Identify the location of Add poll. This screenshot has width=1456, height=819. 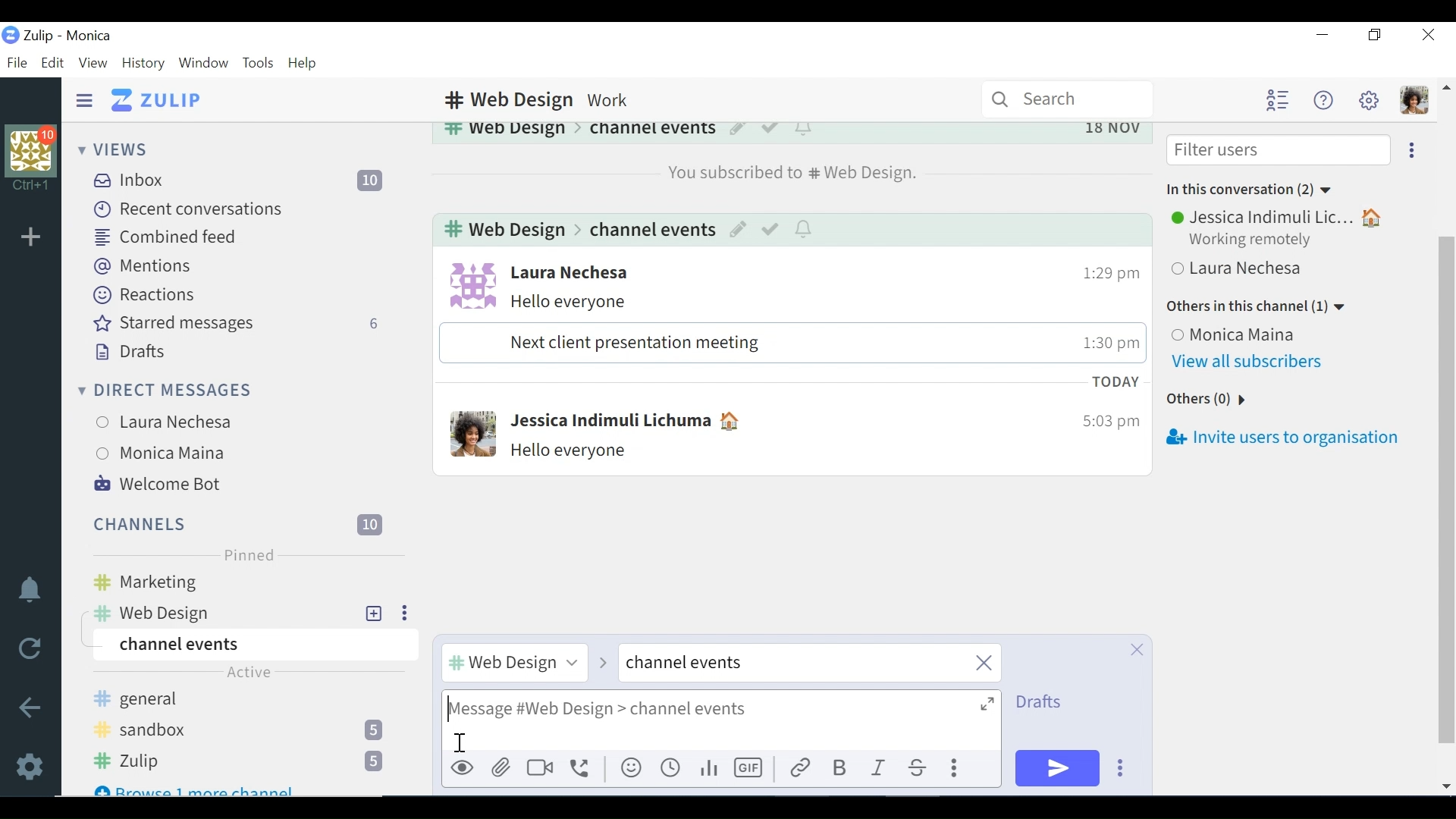
(708, 769).